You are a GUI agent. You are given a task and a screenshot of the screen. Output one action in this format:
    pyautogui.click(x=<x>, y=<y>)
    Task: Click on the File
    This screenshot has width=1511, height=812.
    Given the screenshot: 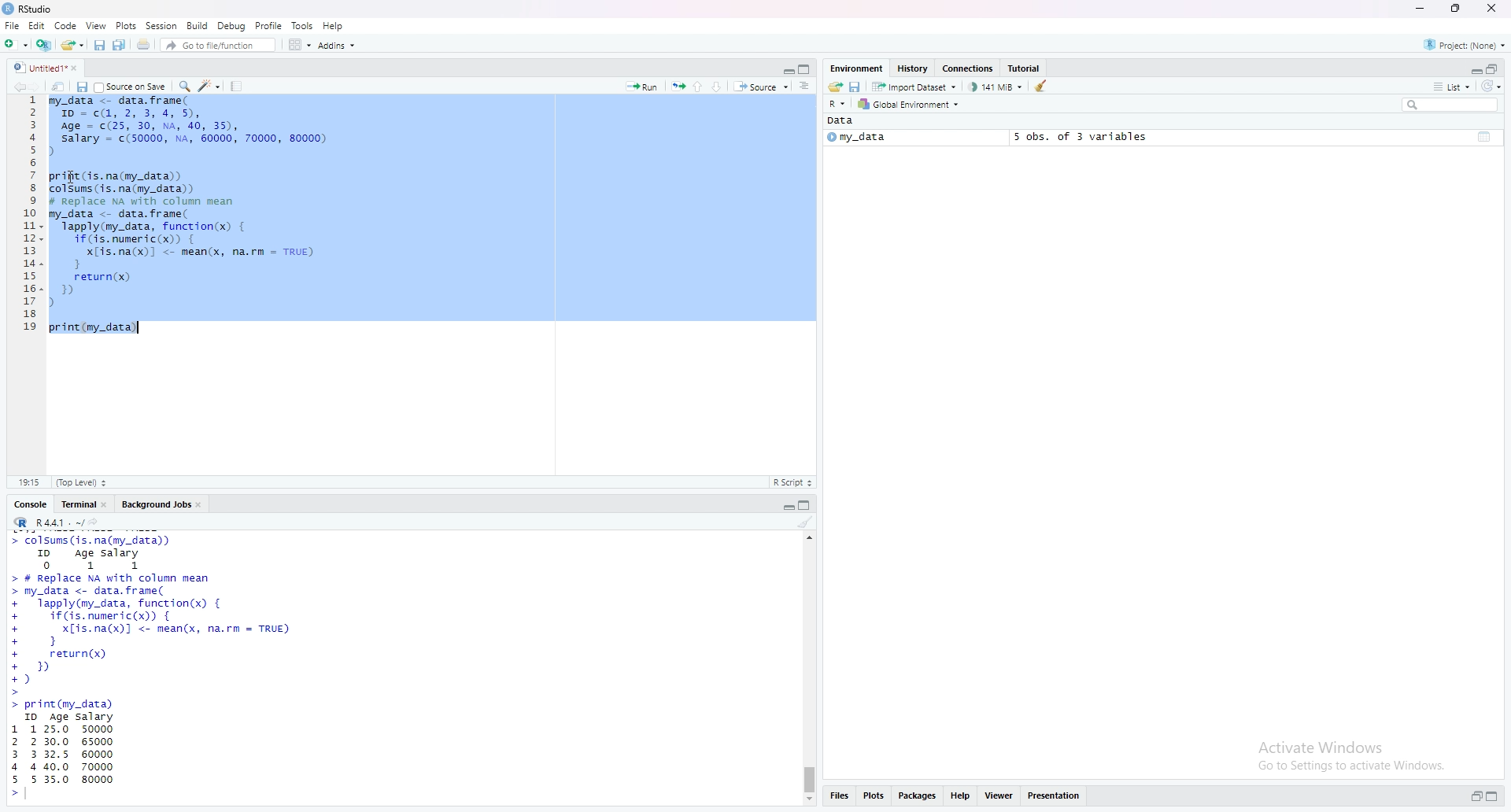 What is the action you would take?
    pyautogui.click(x=13, y=25)
    